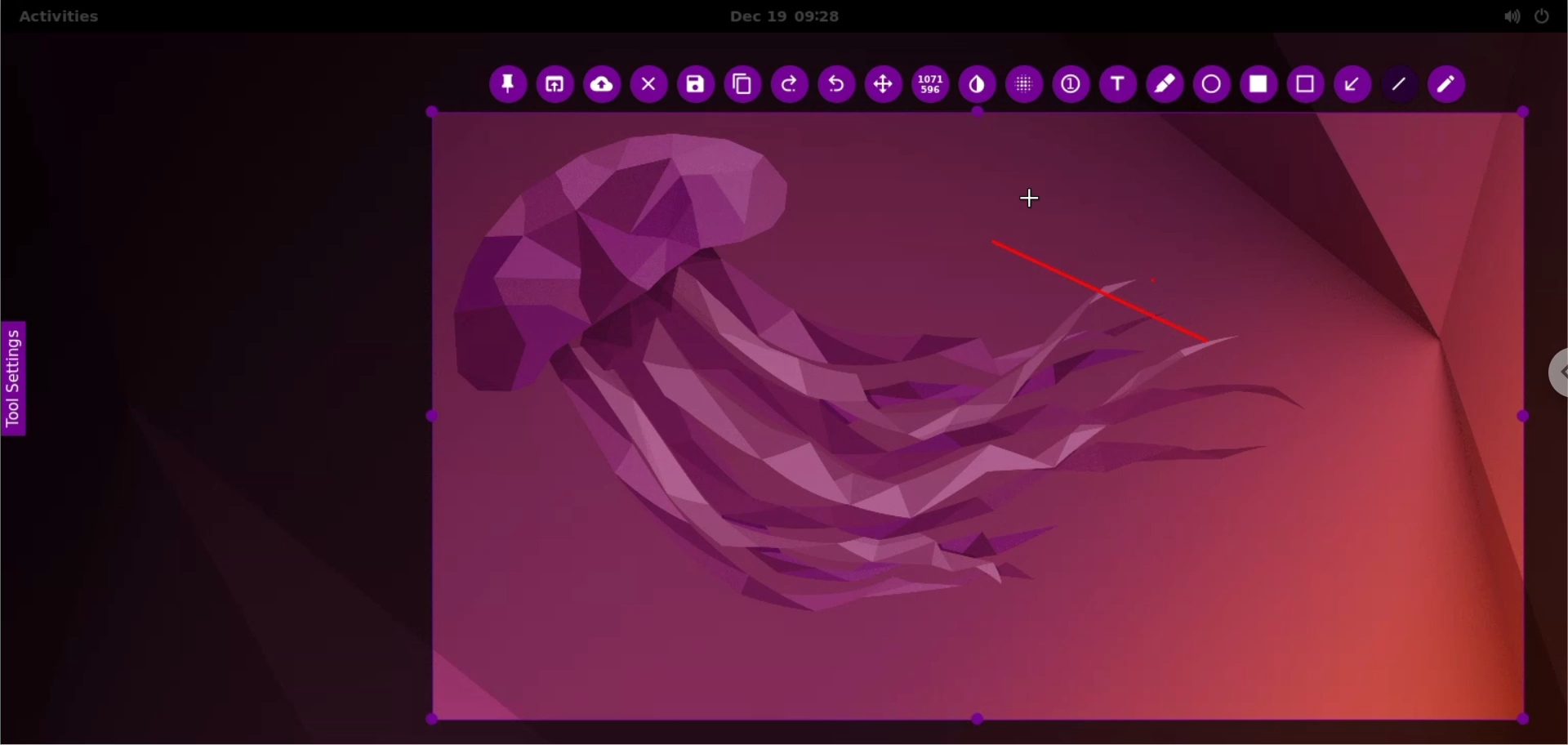 The width and height of the screenshot is (1568, 745). I want to click on tool settings, so click(19, 384).